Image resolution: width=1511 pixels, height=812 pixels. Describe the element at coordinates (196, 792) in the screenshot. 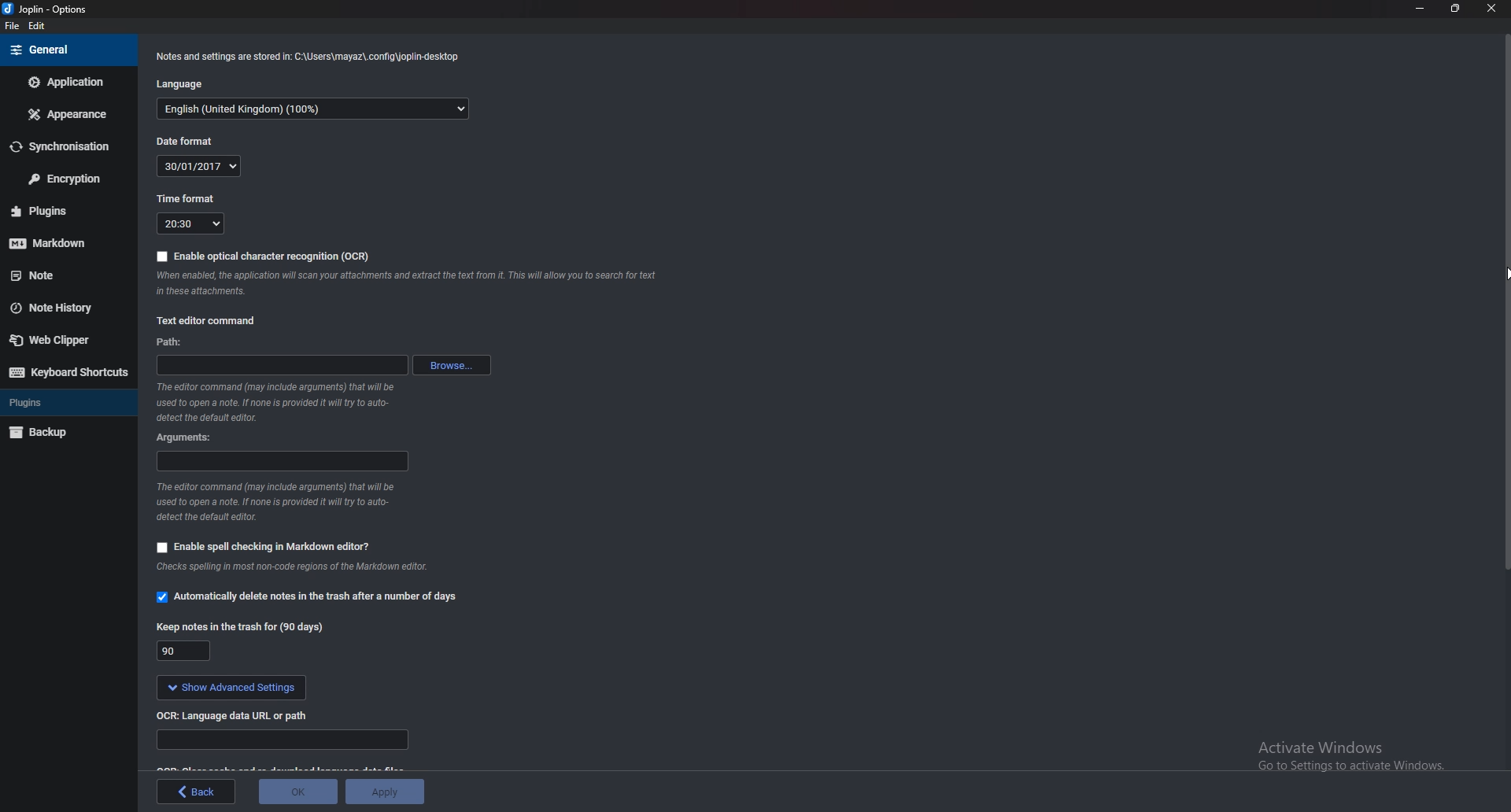

I see `back` at that location.